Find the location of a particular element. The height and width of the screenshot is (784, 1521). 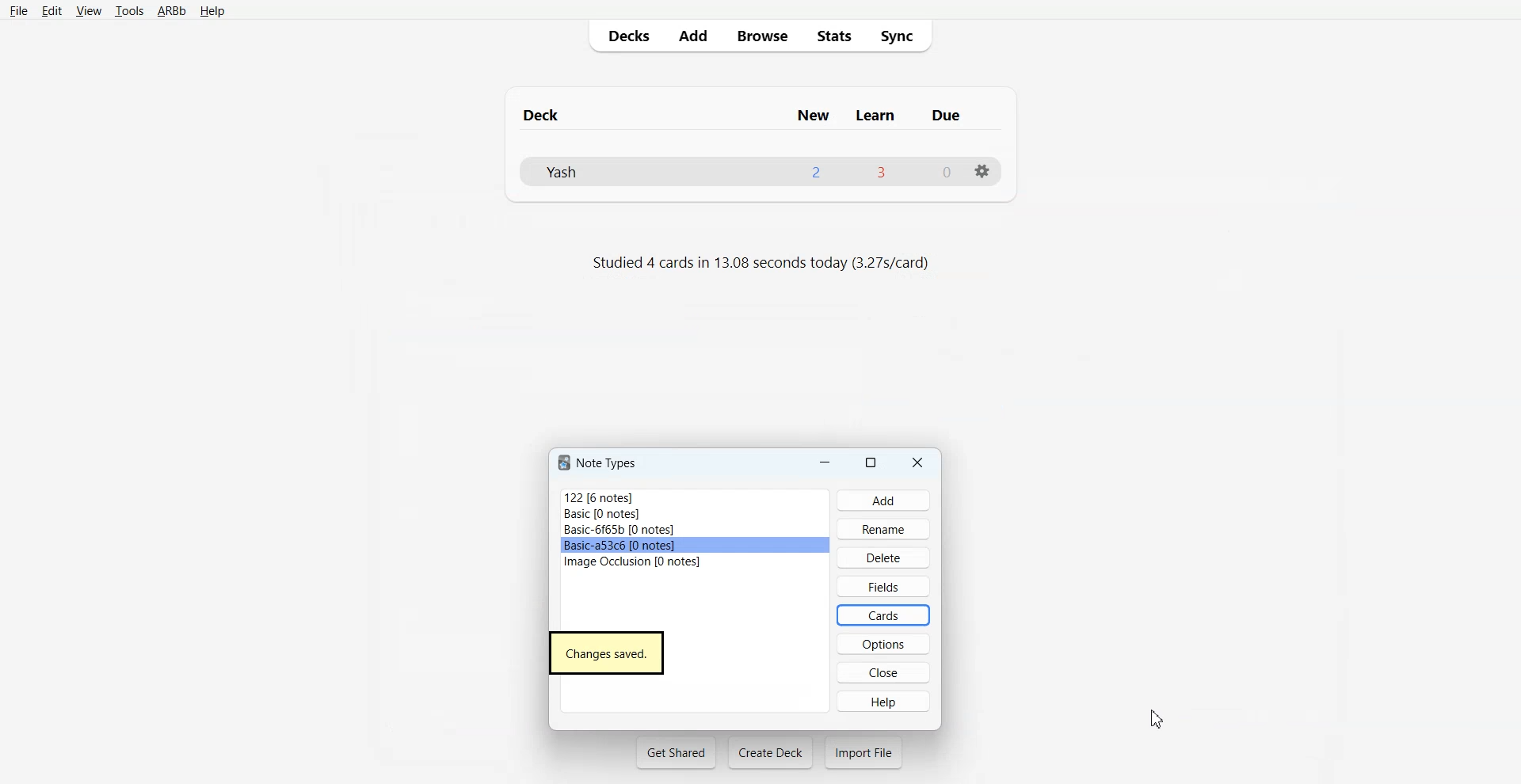

Help is located at coordinates (883, 701).